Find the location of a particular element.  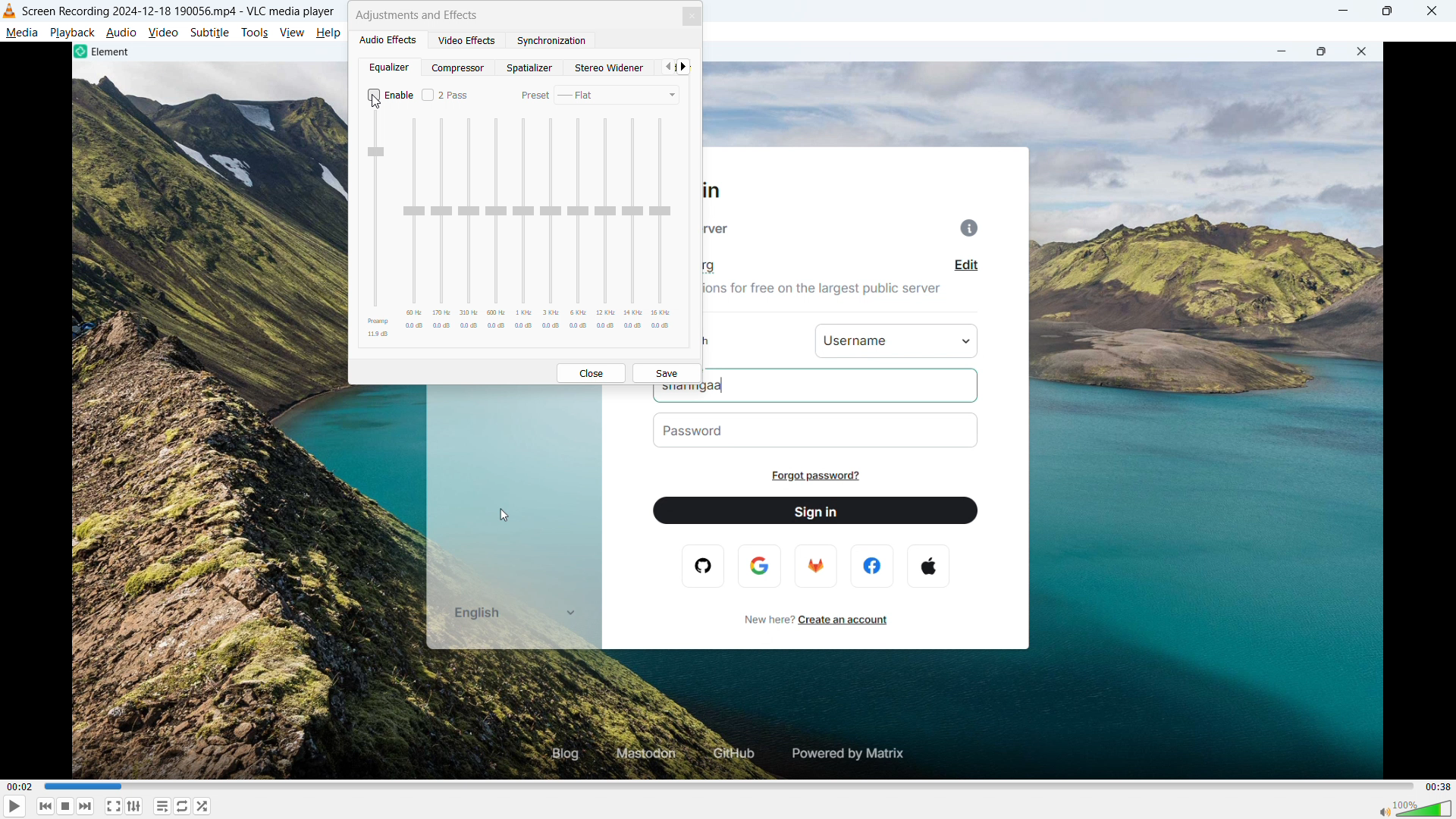

equalizer  is located at coordinates (388, 68).